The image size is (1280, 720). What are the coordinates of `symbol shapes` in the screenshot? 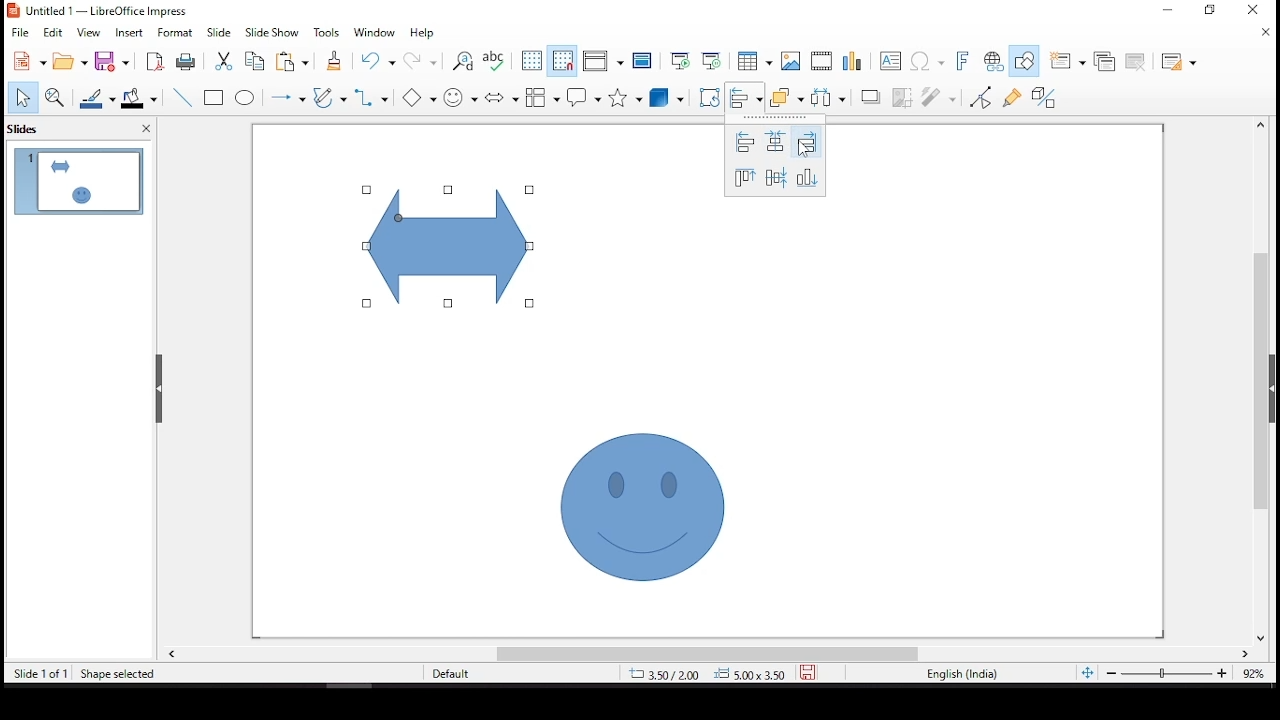 It's located at (463, 96).